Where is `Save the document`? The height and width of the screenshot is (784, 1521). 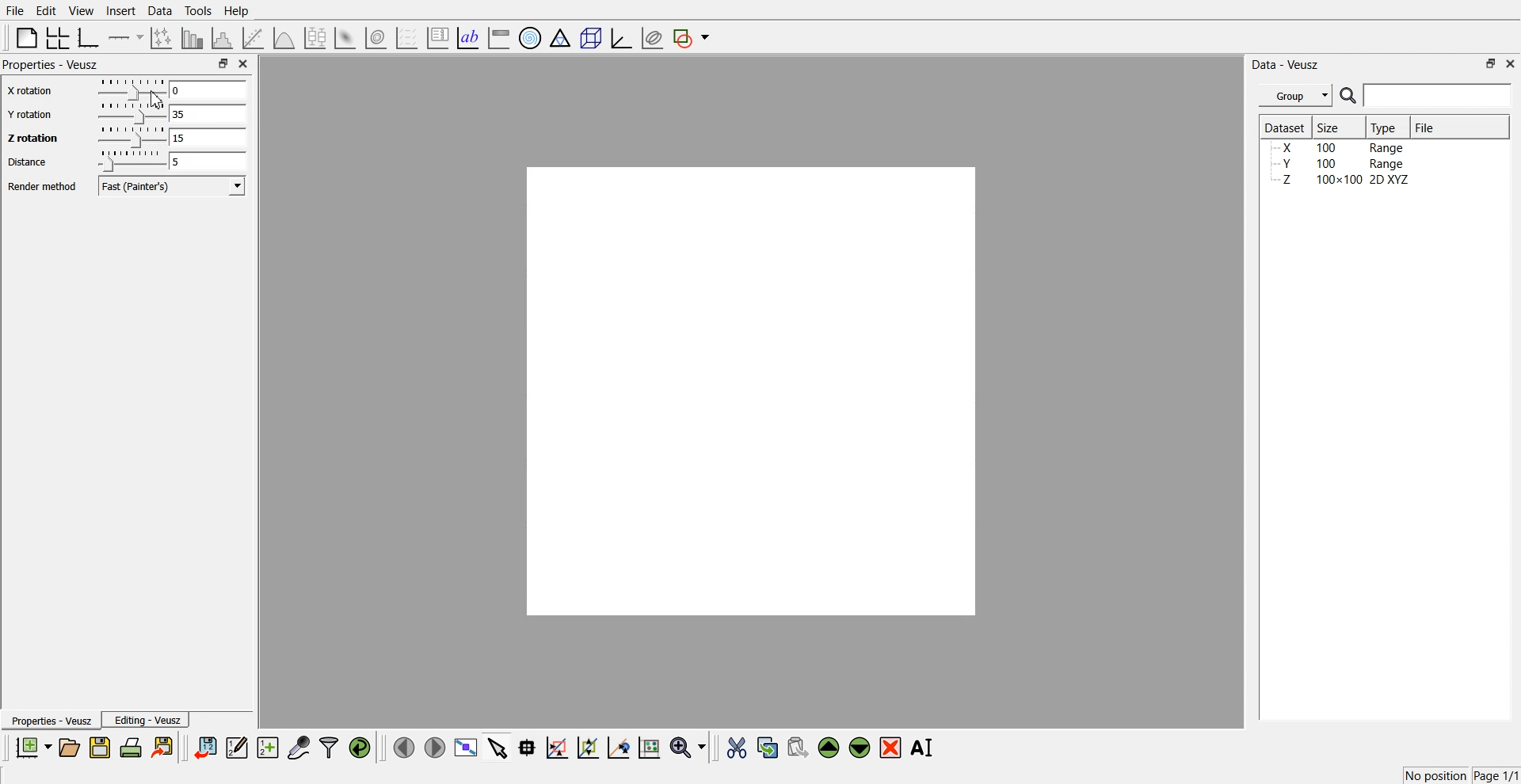
Save the document is located at coordinates (100, 747).